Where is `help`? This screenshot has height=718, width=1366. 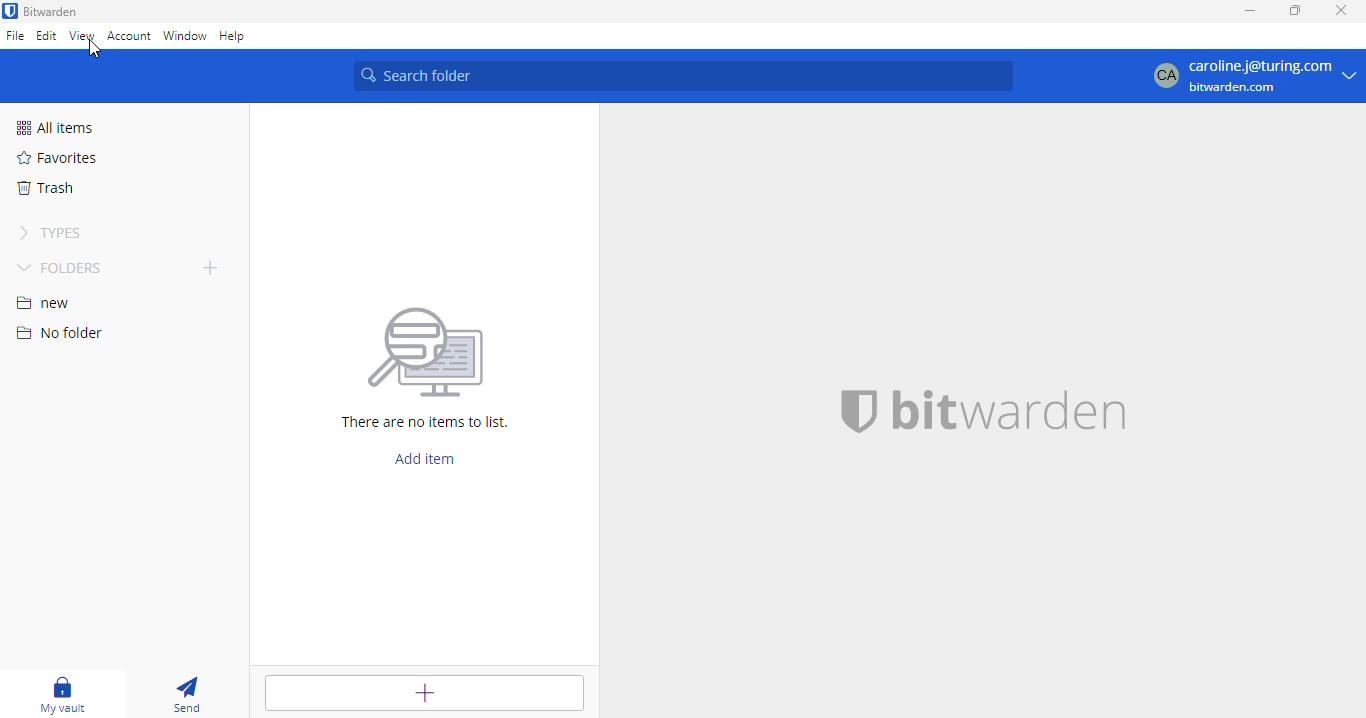 help is located at coordinates (233, 36).